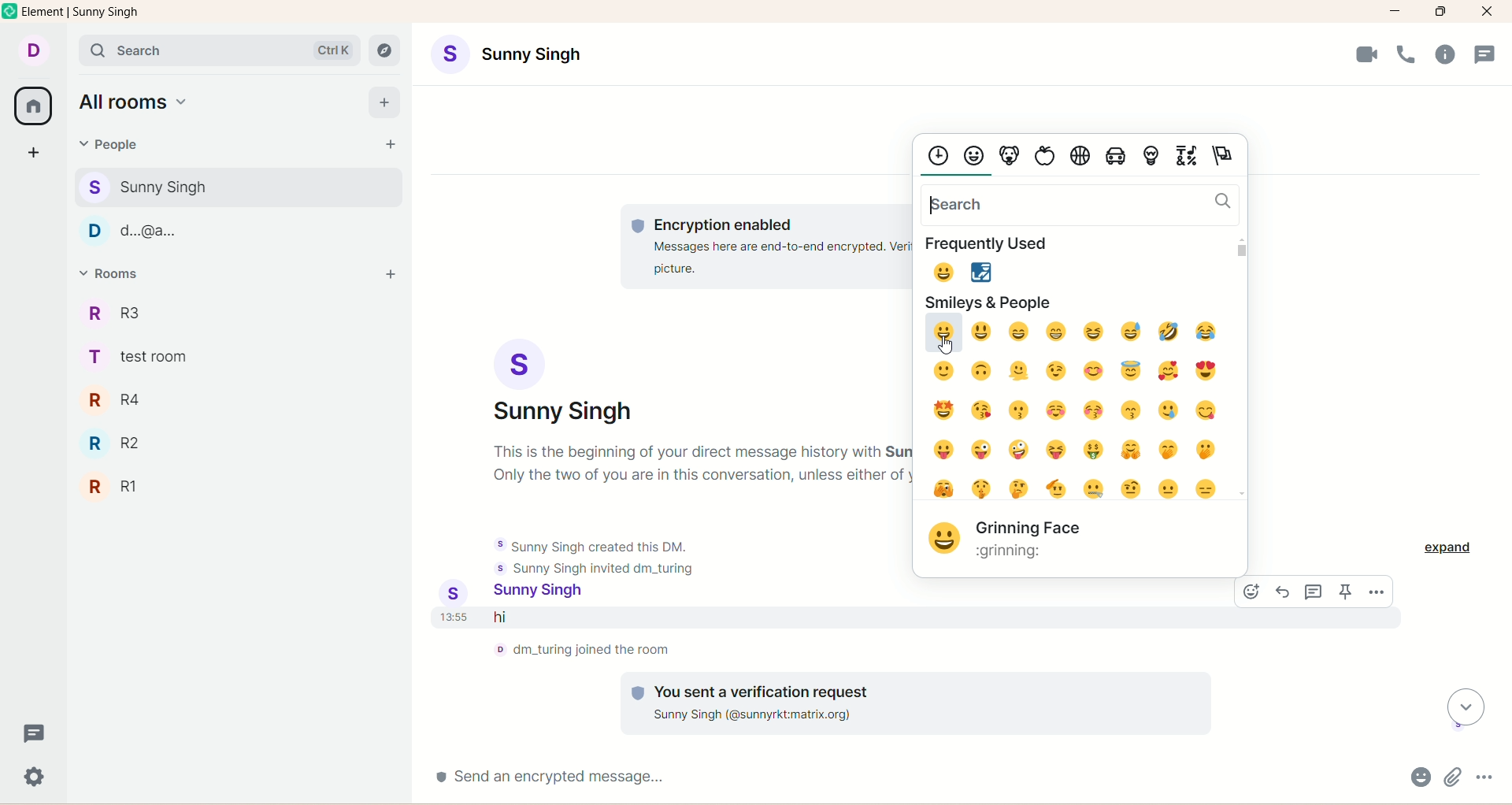  What do you see at coordinates (1503, 418) in the screenshot?
I see `vertical scroll bar` at bounding box center [1503, 418].